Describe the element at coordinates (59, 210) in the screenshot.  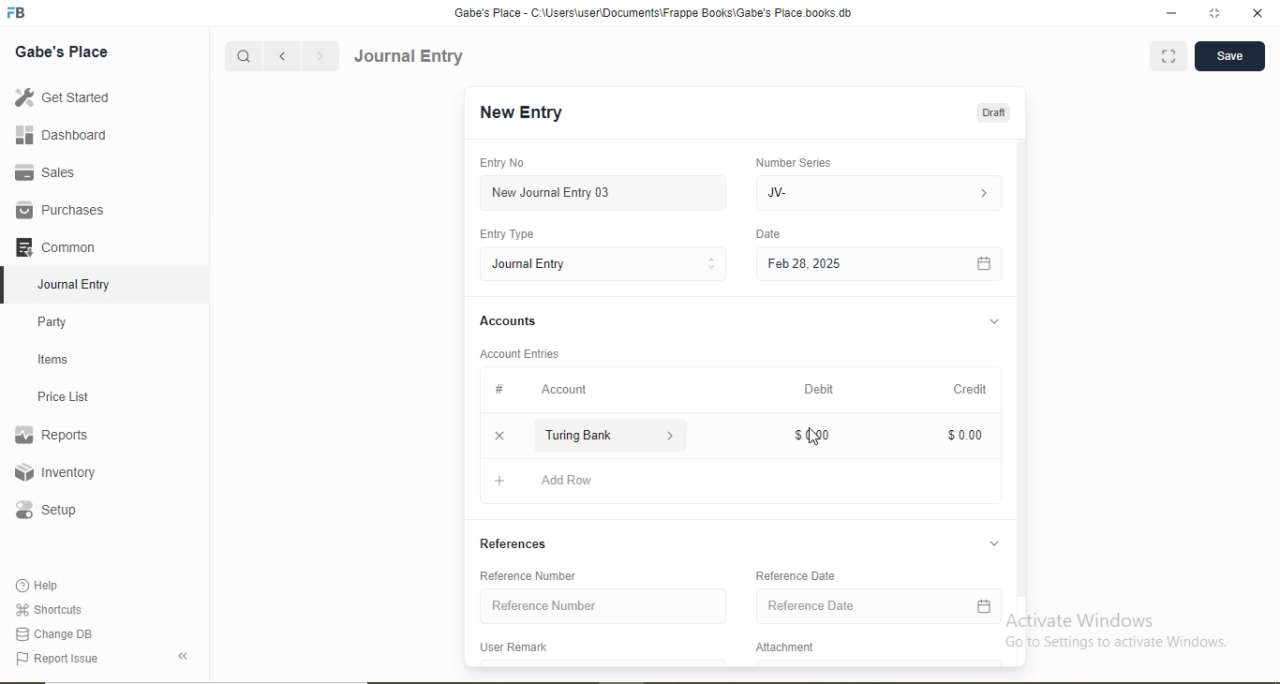
I see `Purchases` at that location.